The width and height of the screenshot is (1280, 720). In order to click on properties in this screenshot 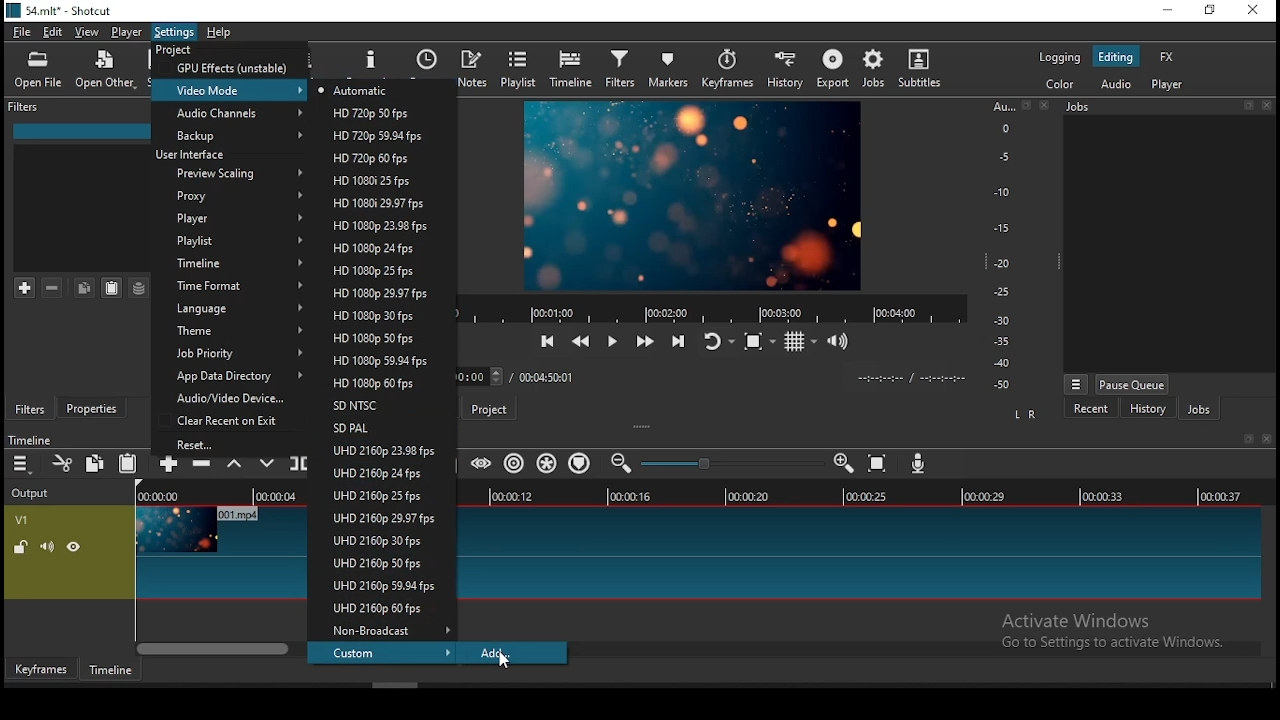, I will do `click(373, 60)`.